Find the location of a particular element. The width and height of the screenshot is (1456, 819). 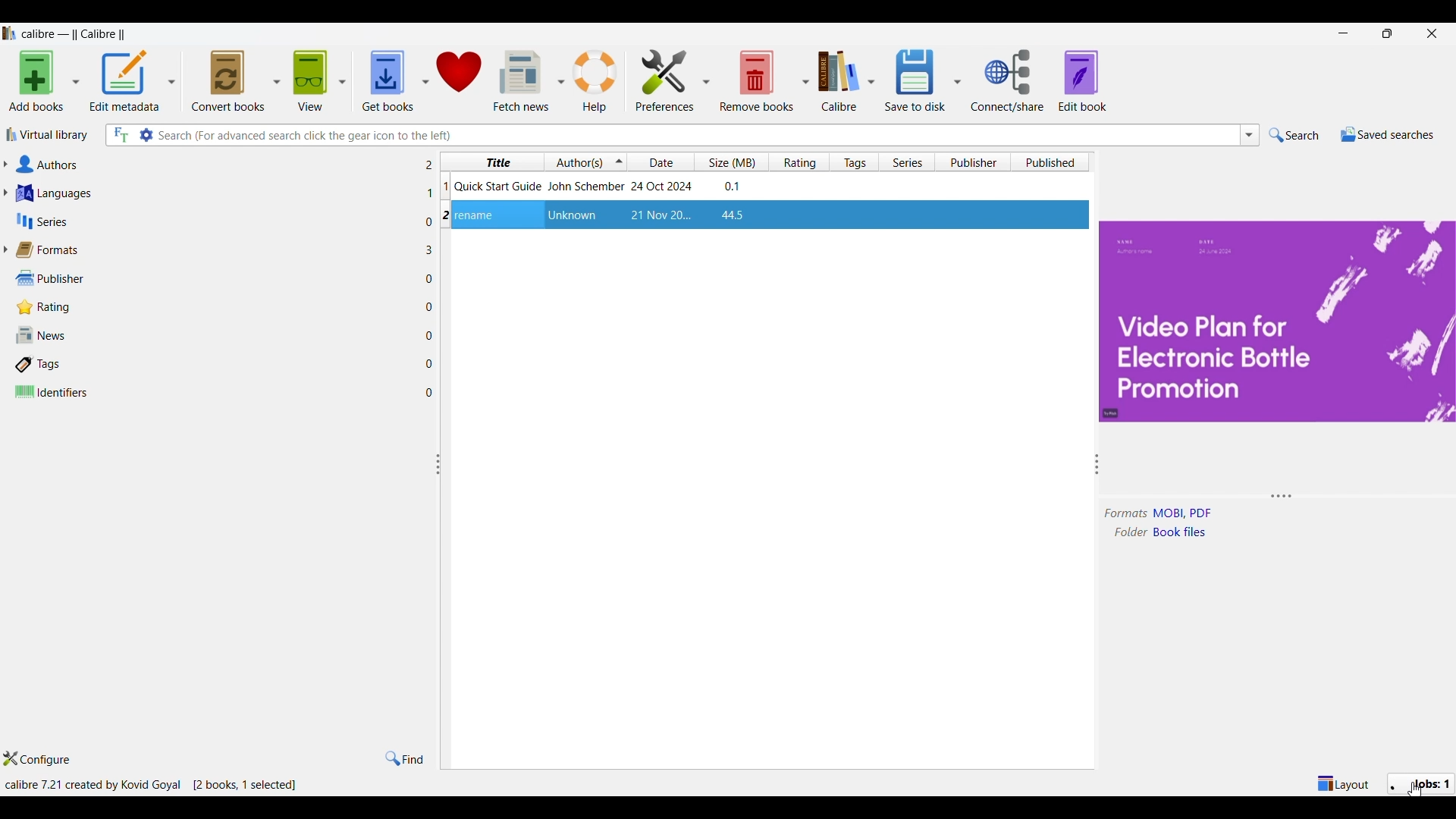

Save options is located at coordinates (957, 80).